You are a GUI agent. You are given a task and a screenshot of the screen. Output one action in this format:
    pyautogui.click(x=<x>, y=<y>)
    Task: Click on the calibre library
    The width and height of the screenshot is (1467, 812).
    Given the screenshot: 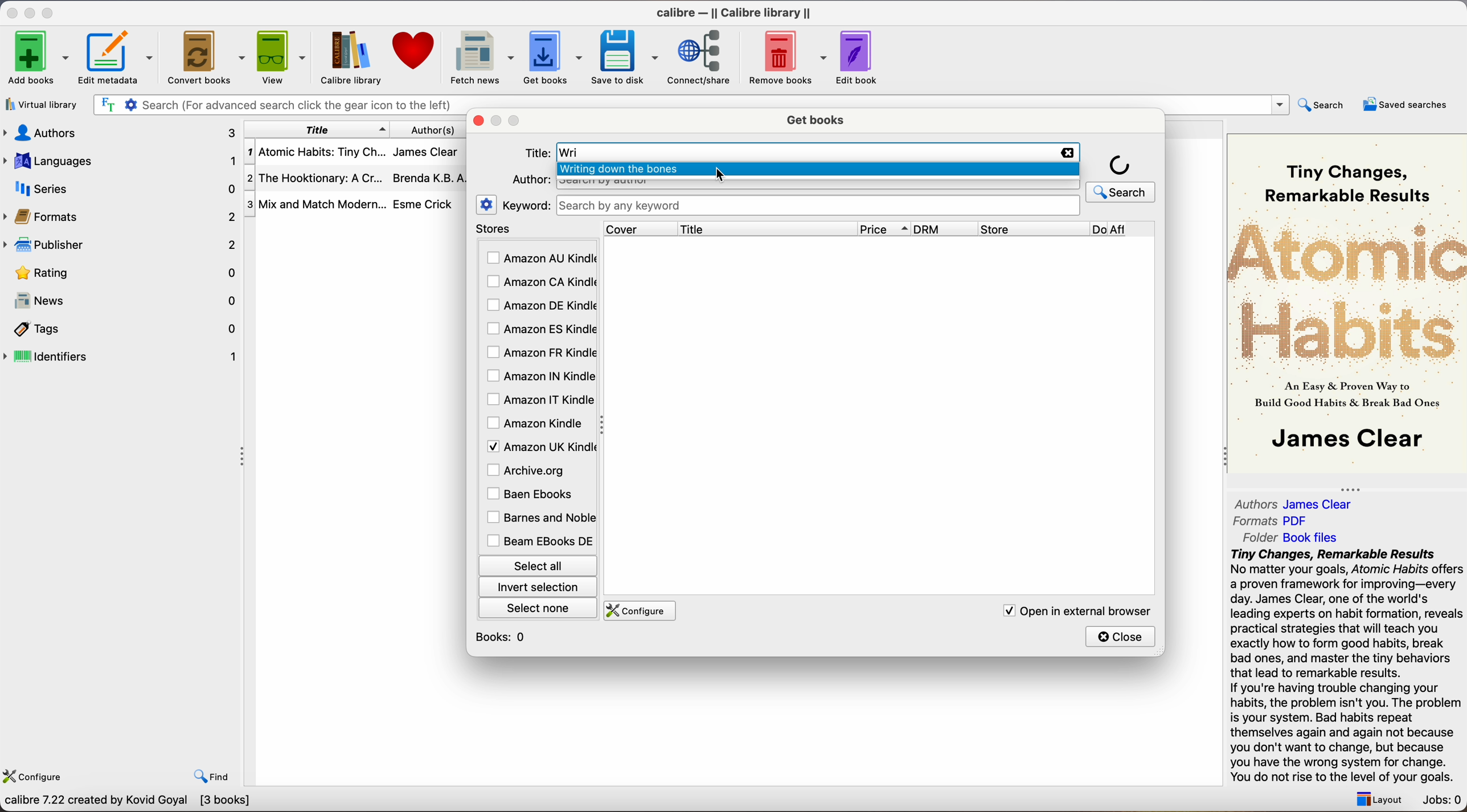 What is the action you would take?
    pyautogui.click(x=346, y=58)
    